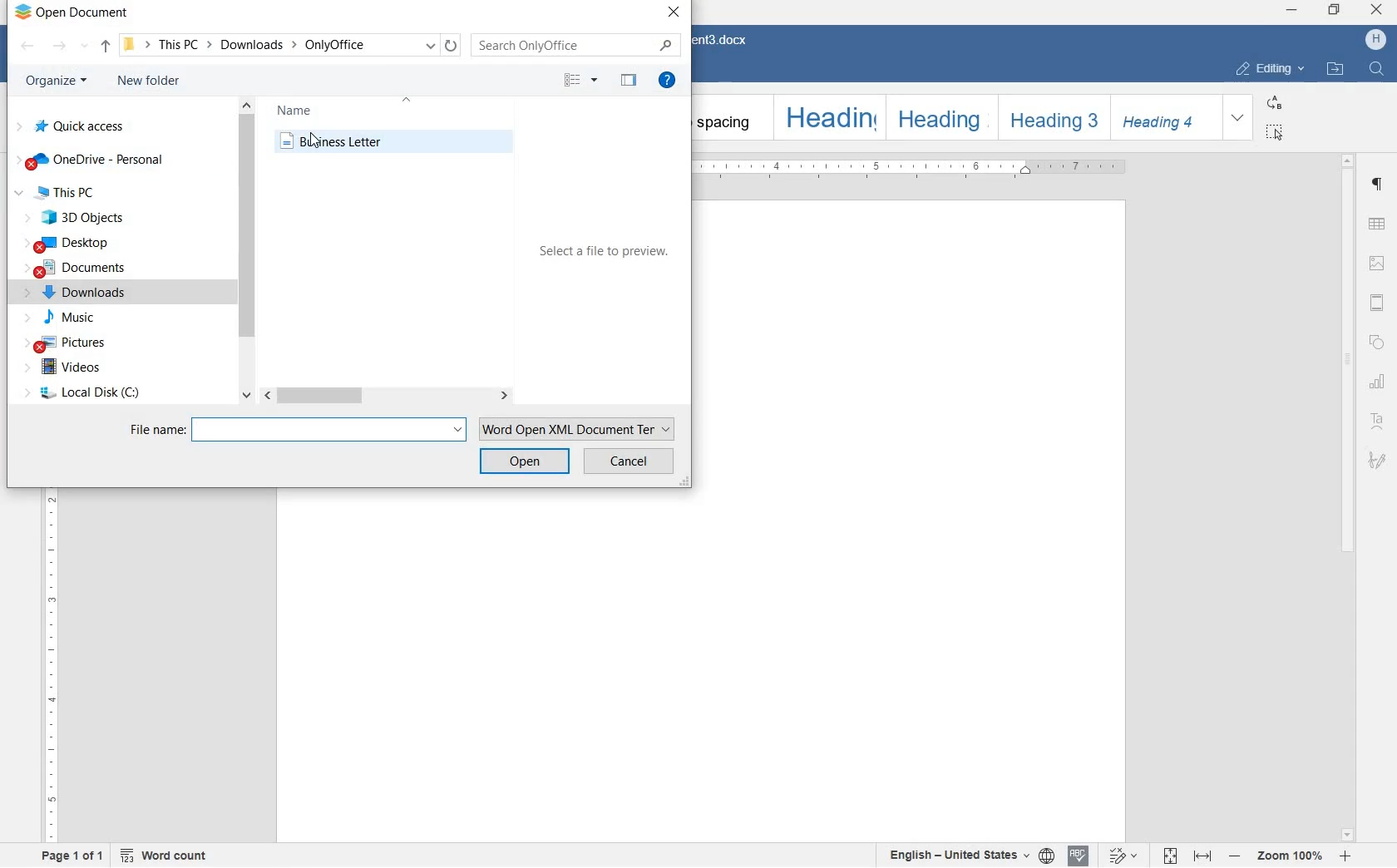  I want to click on decrease zoom, so click(1235, 853).